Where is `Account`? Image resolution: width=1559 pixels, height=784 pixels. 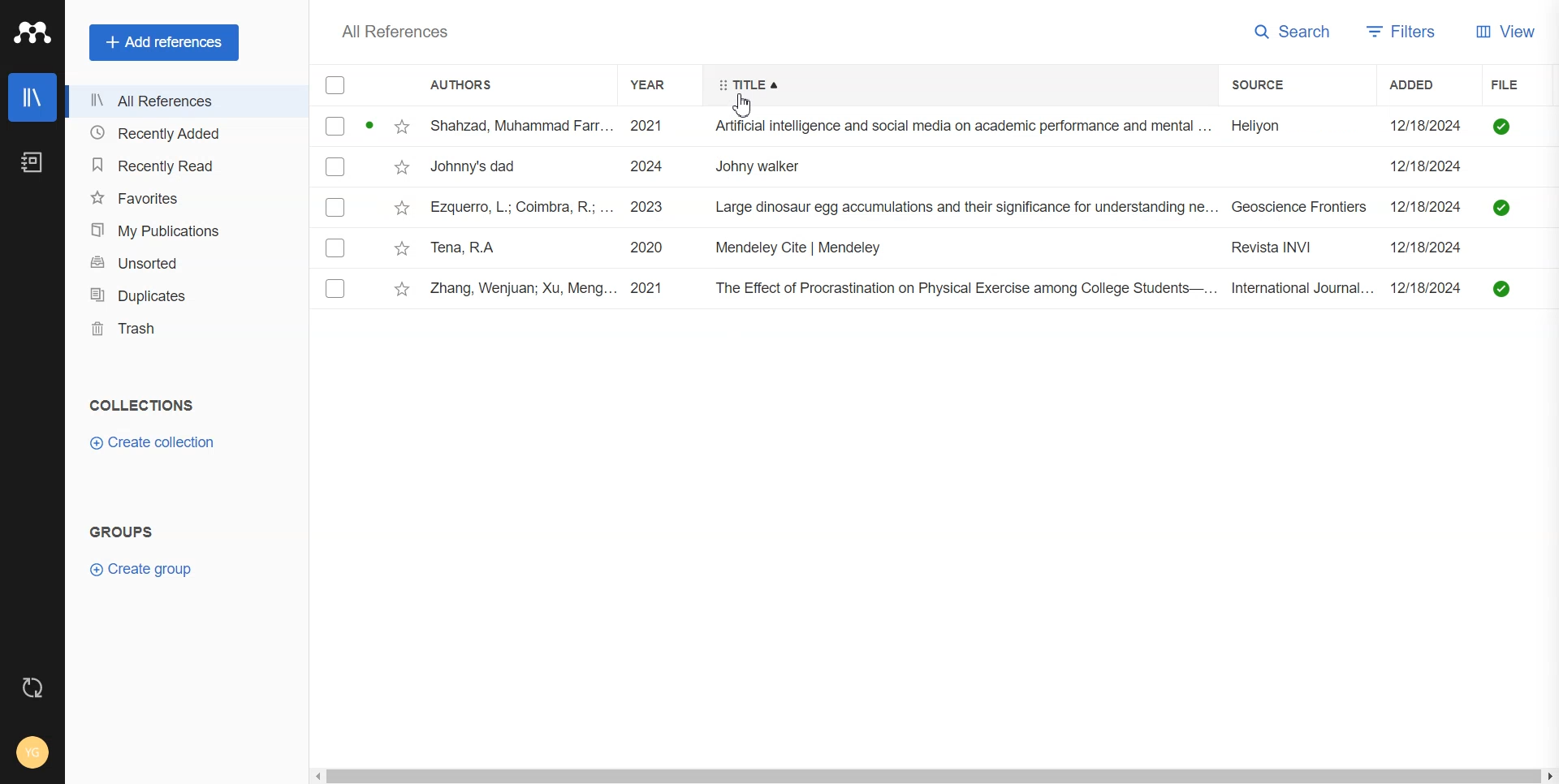
Account is located at coordinates (33, 752).